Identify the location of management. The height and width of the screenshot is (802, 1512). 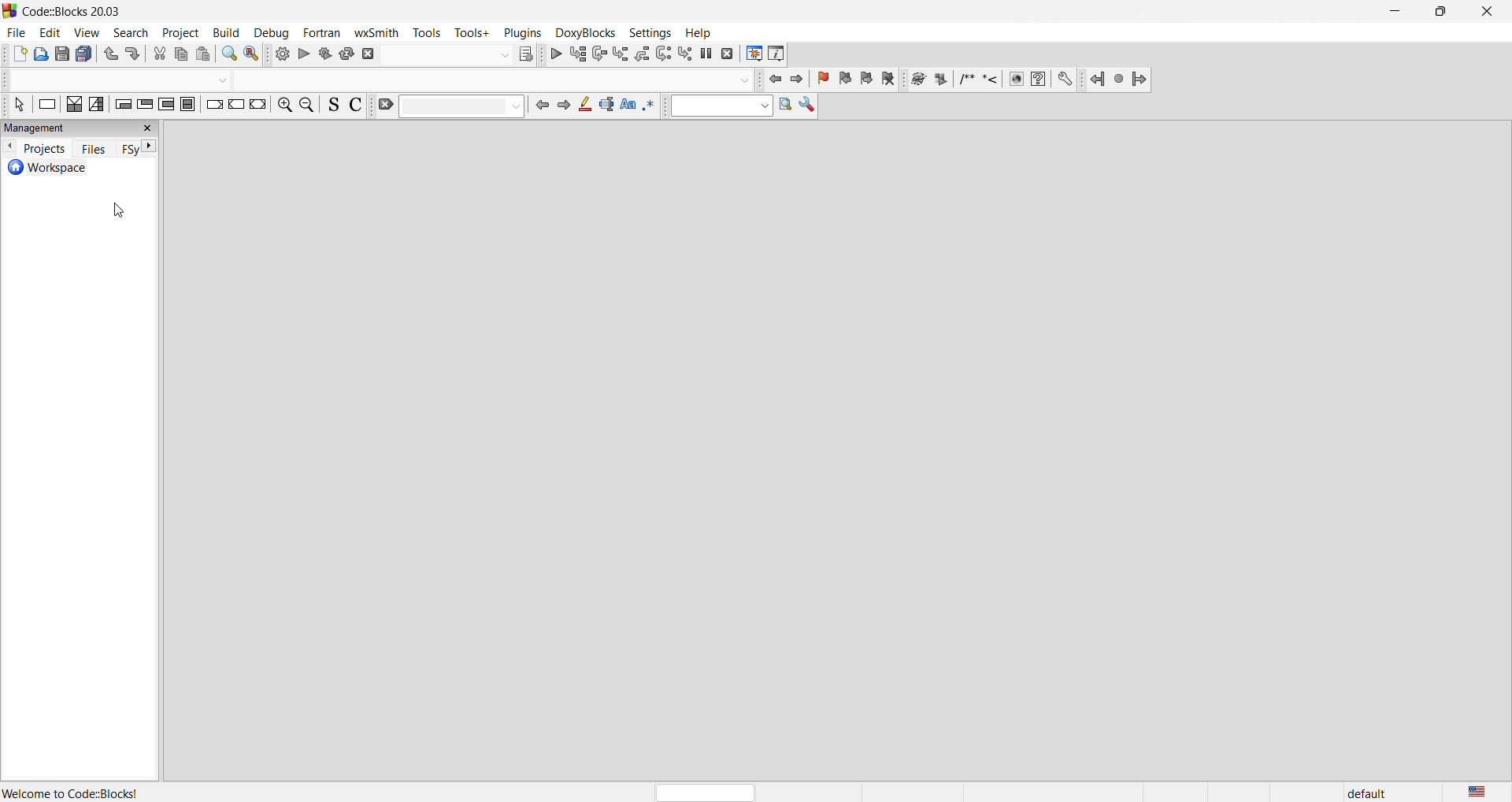
(81, 128).